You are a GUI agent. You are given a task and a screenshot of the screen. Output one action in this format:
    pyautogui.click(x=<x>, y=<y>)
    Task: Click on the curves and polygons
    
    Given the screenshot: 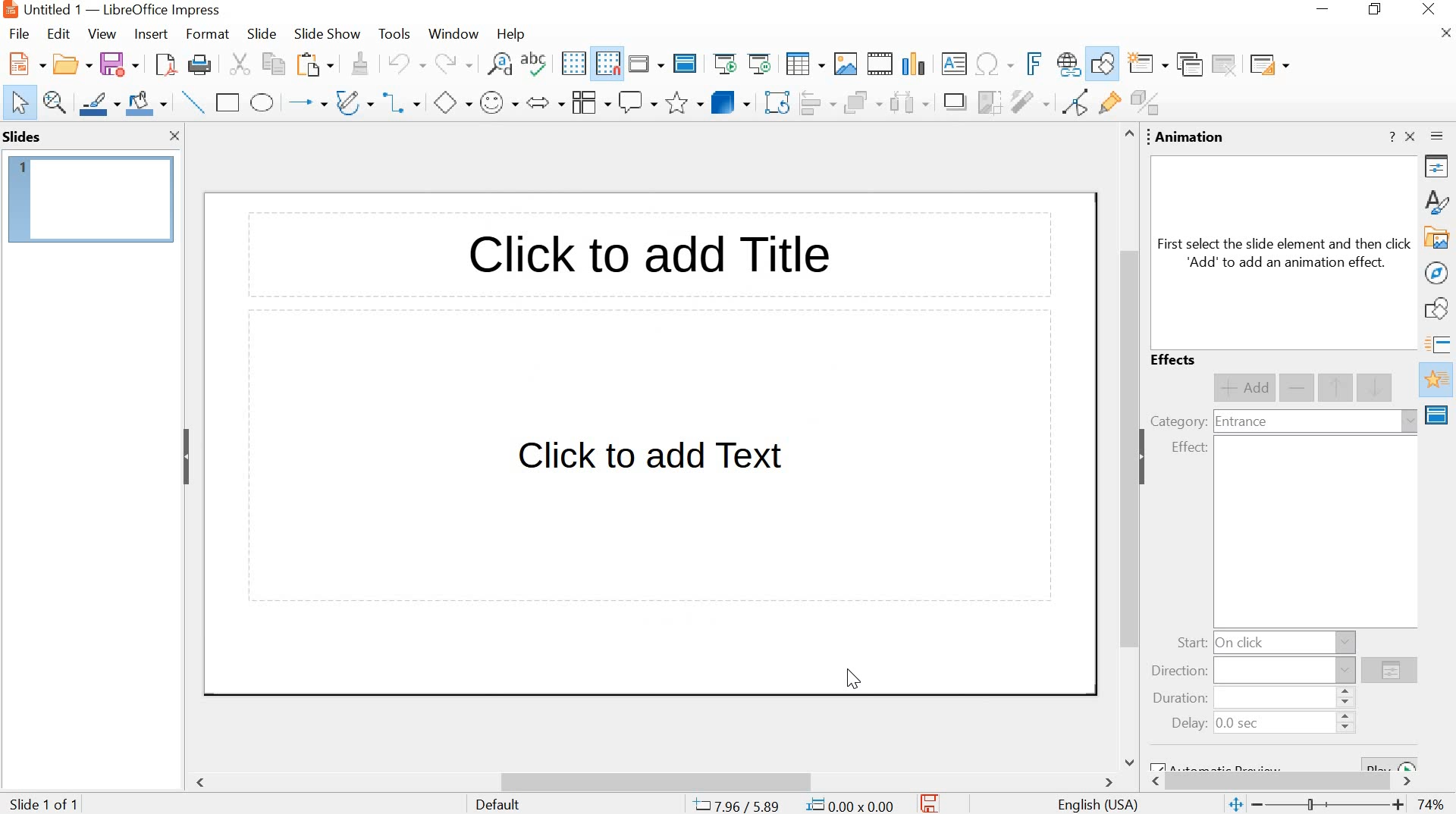 What is the action you would take?
    pyautogui.click(x=354, y=102)
    